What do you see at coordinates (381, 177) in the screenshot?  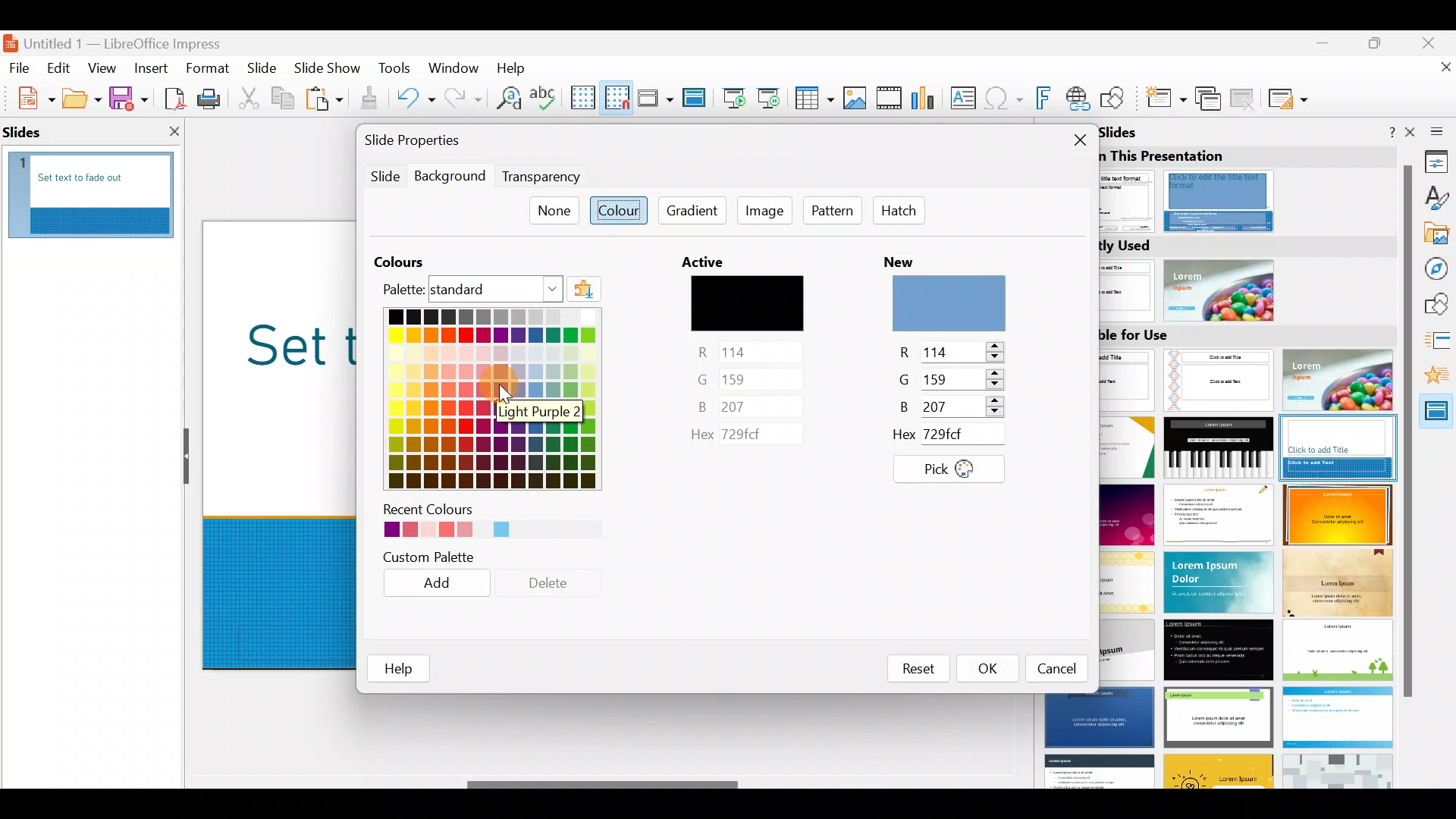 I see `Slide` at bounding box center [381, 177].